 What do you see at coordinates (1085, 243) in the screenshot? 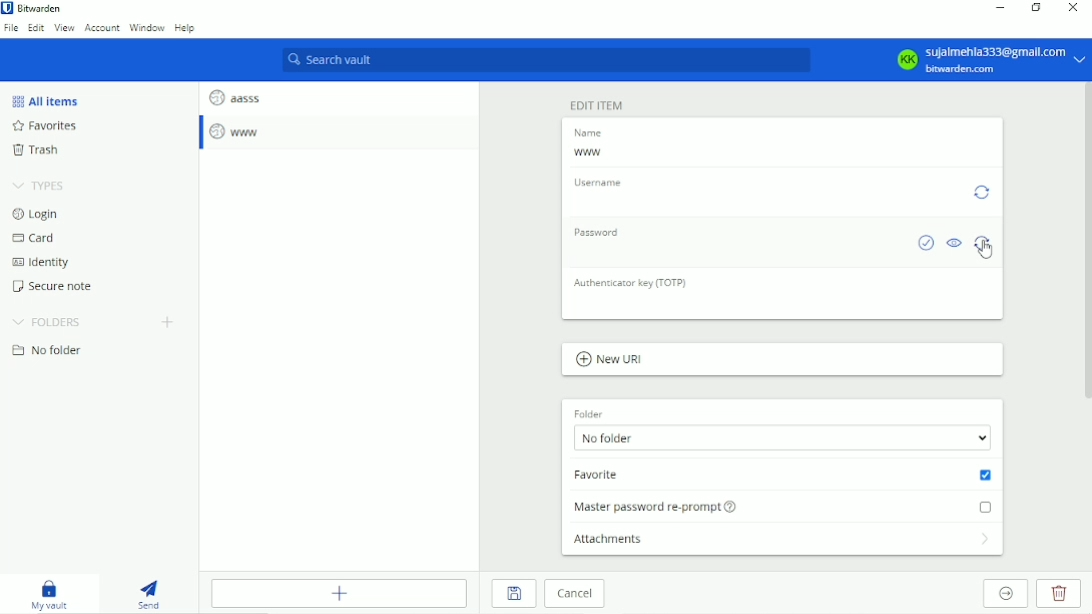
I see `Vertical scrollbar` at bounding box center [1085, 243].